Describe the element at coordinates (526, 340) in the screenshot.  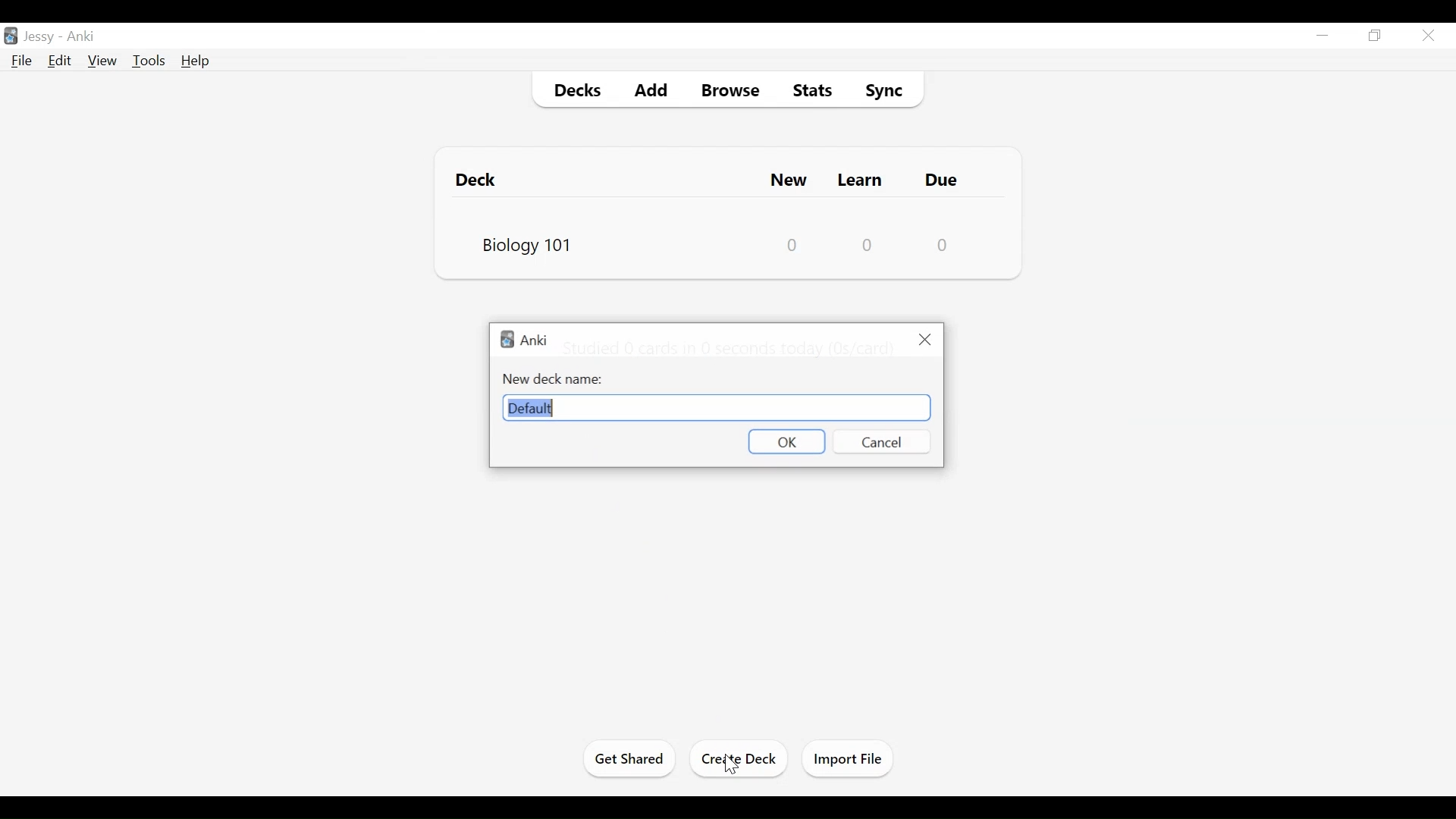
I see `Anki` at that location.